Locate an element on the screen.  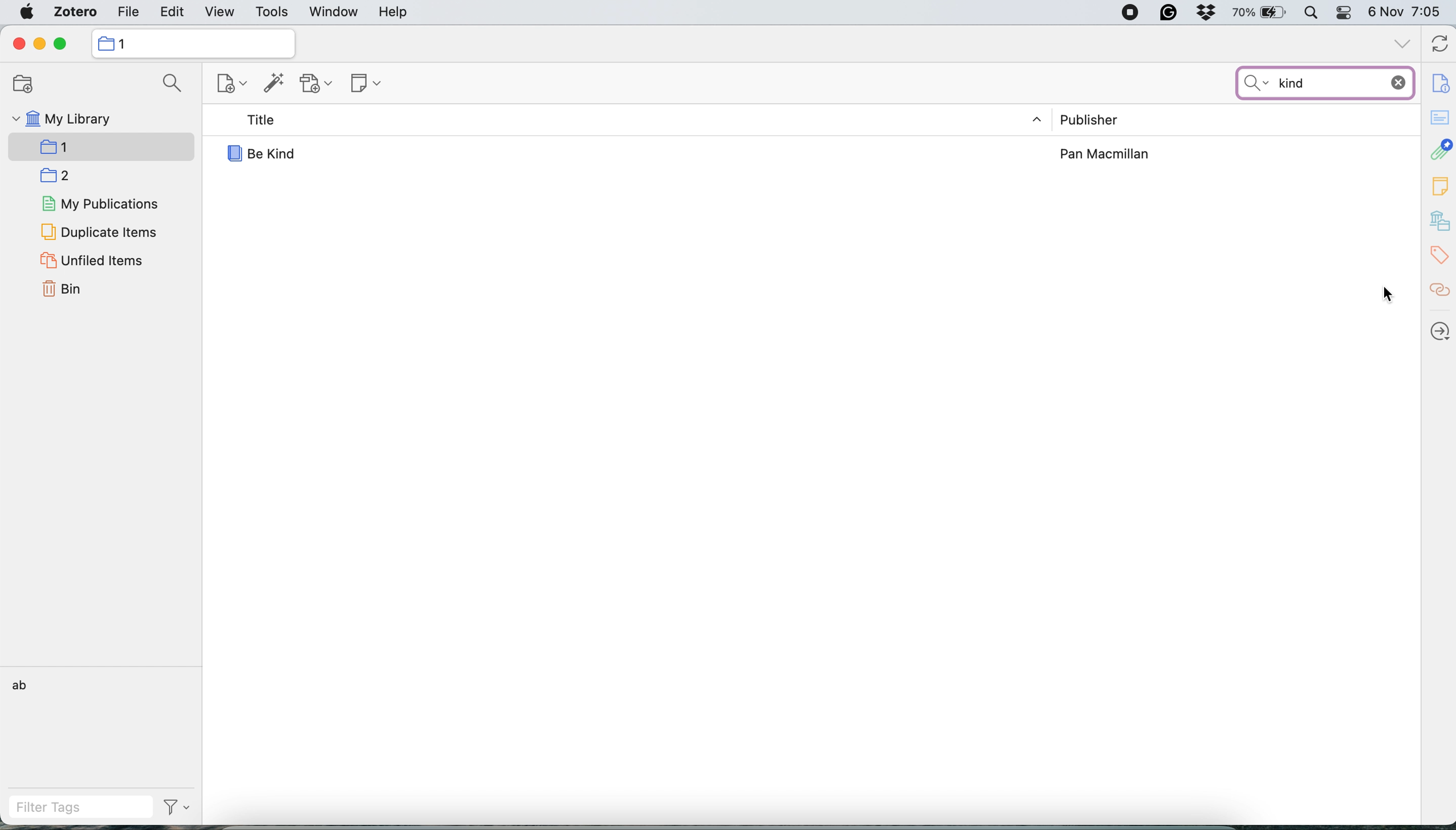
edit is located at coordinates (172, 13).